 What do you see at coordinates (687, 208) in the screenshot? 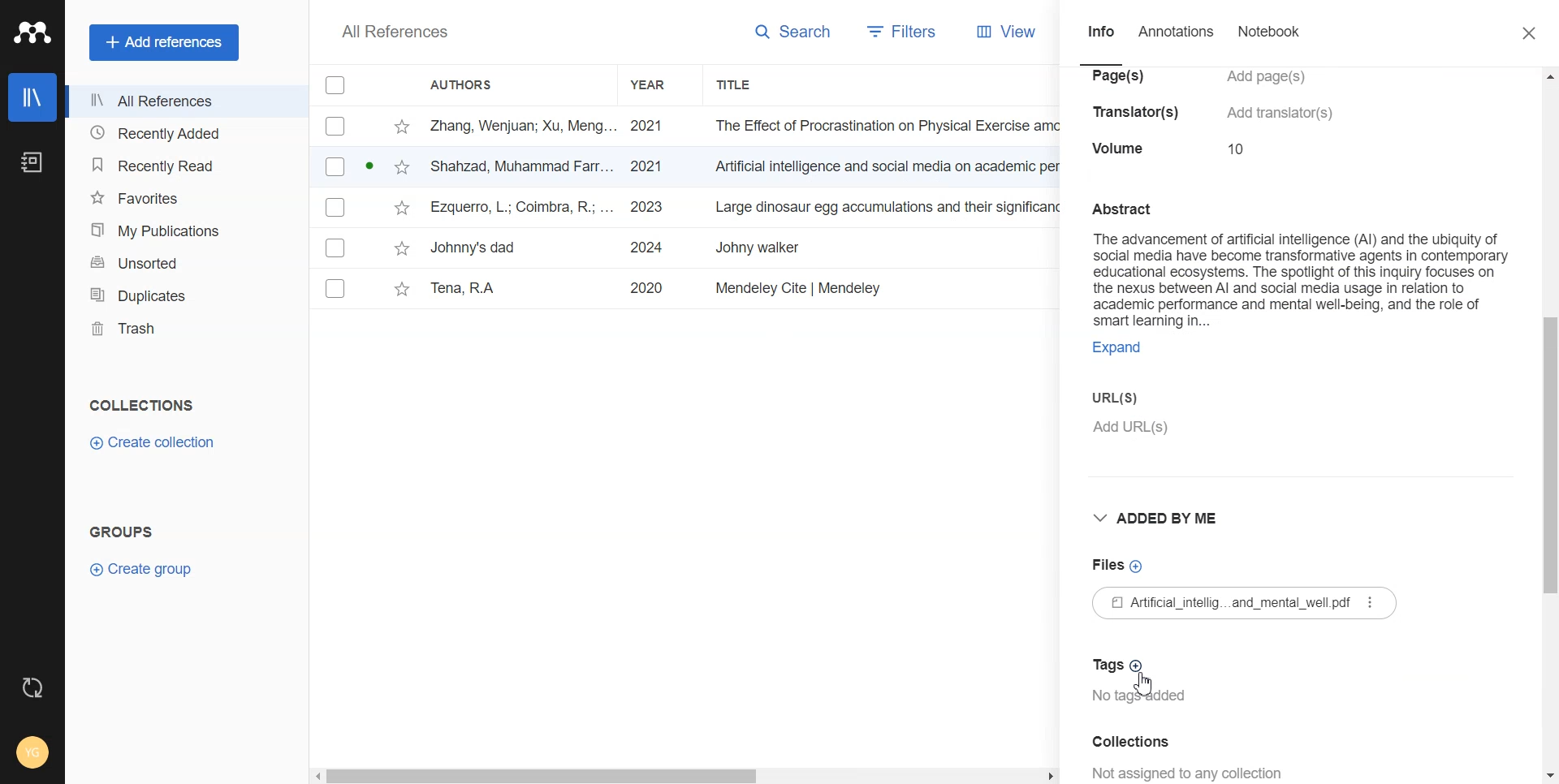
I see `File` at bounding box center [687, 208].